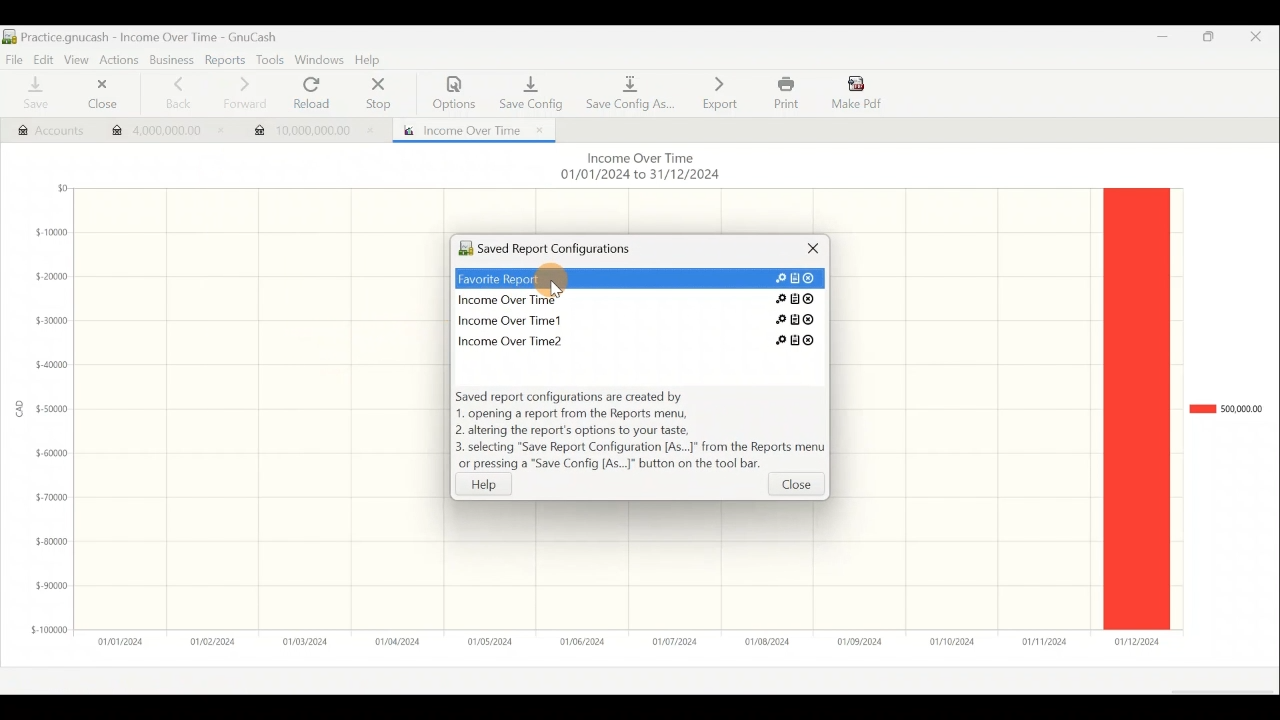 This screenshot has width=1280, height=720. What do you see at coordinates (806, 253) in the screenshot?
I see `Close` at bounding box center [806, 253].